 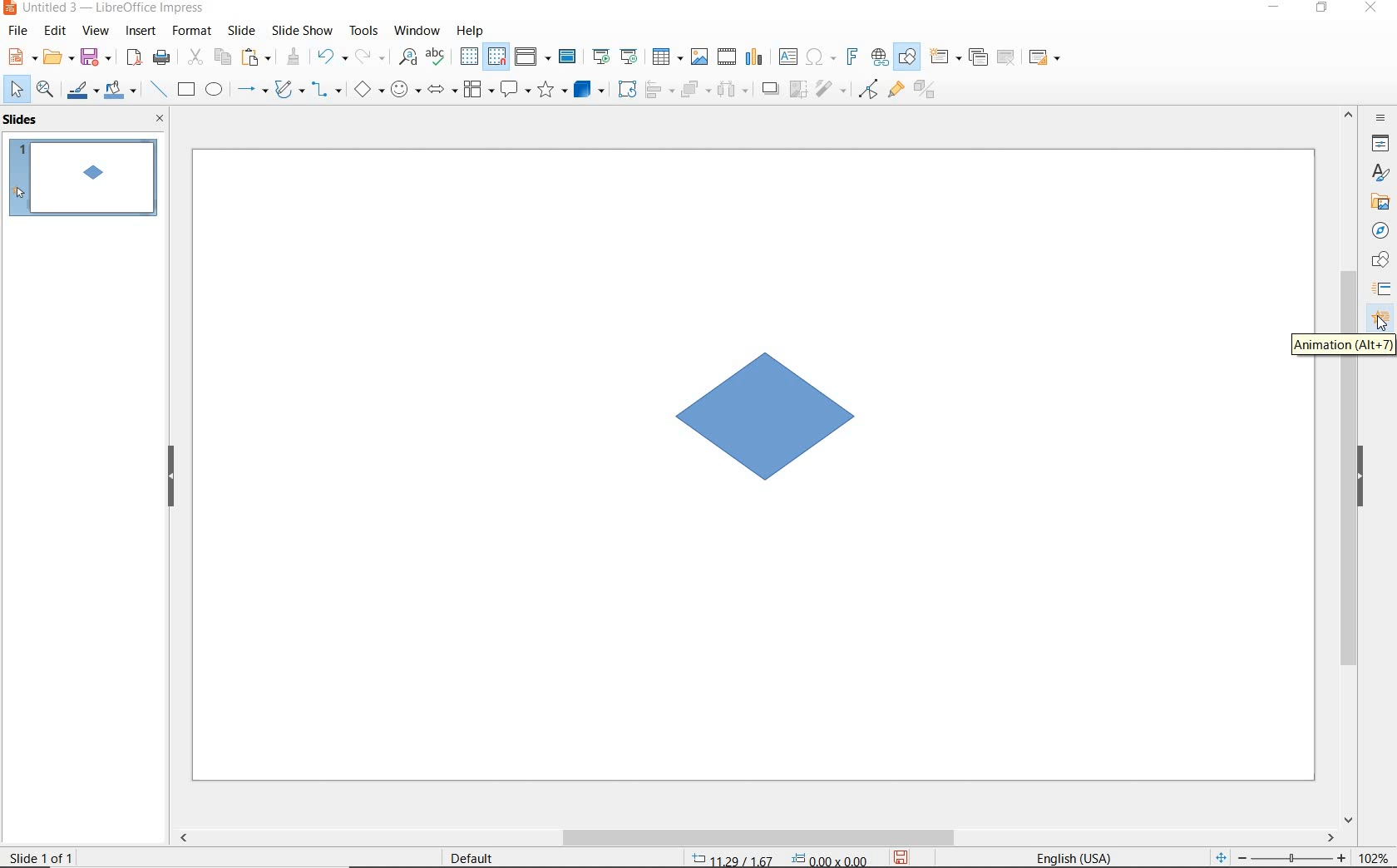 What do you see at coordinates (160, 57) in the screenshot?
I see `print` at bounding box center [160, 57].